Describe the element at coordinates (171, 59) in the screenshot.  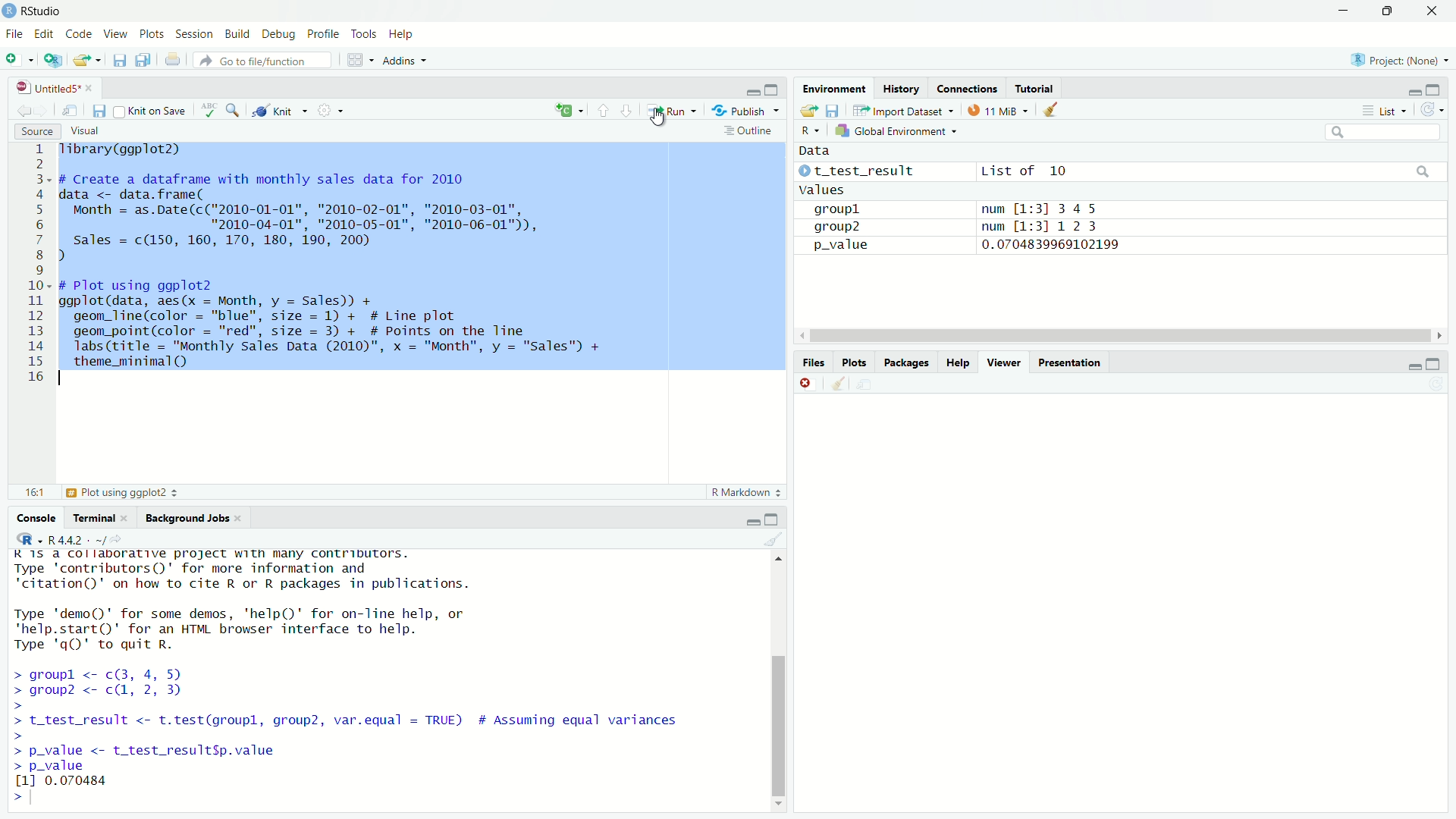
I see `print current file` at that location.